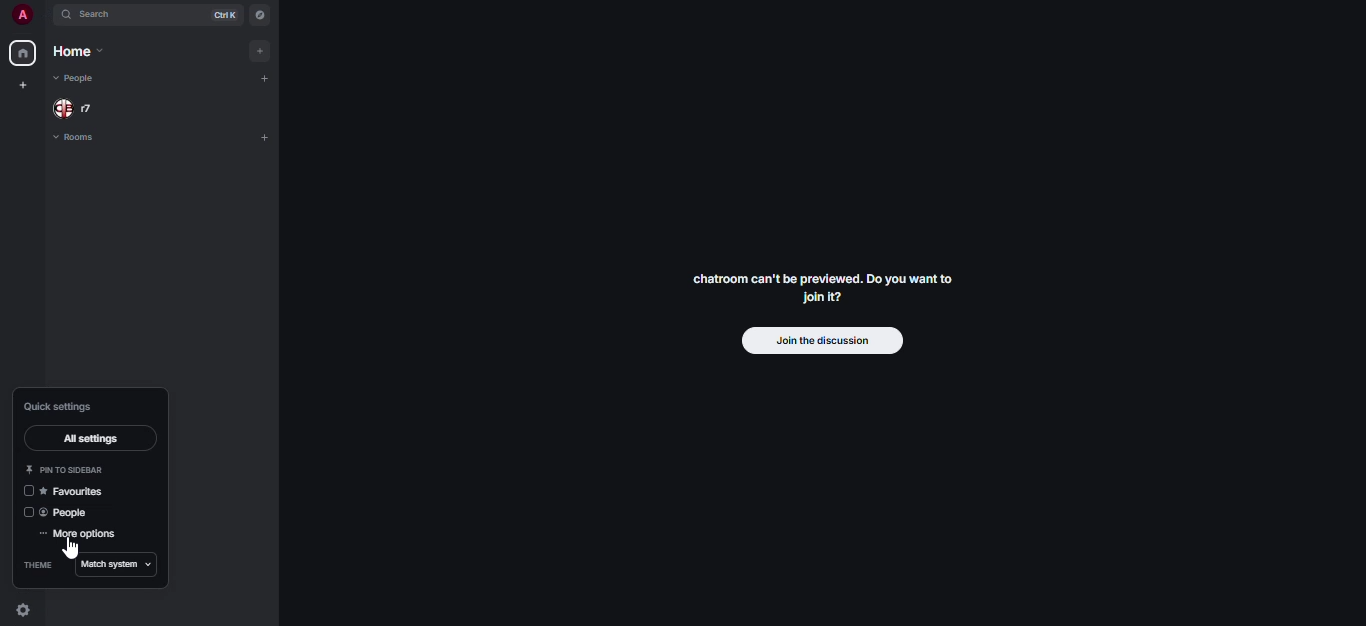  I want to click on quick settings, so click(59, 406).